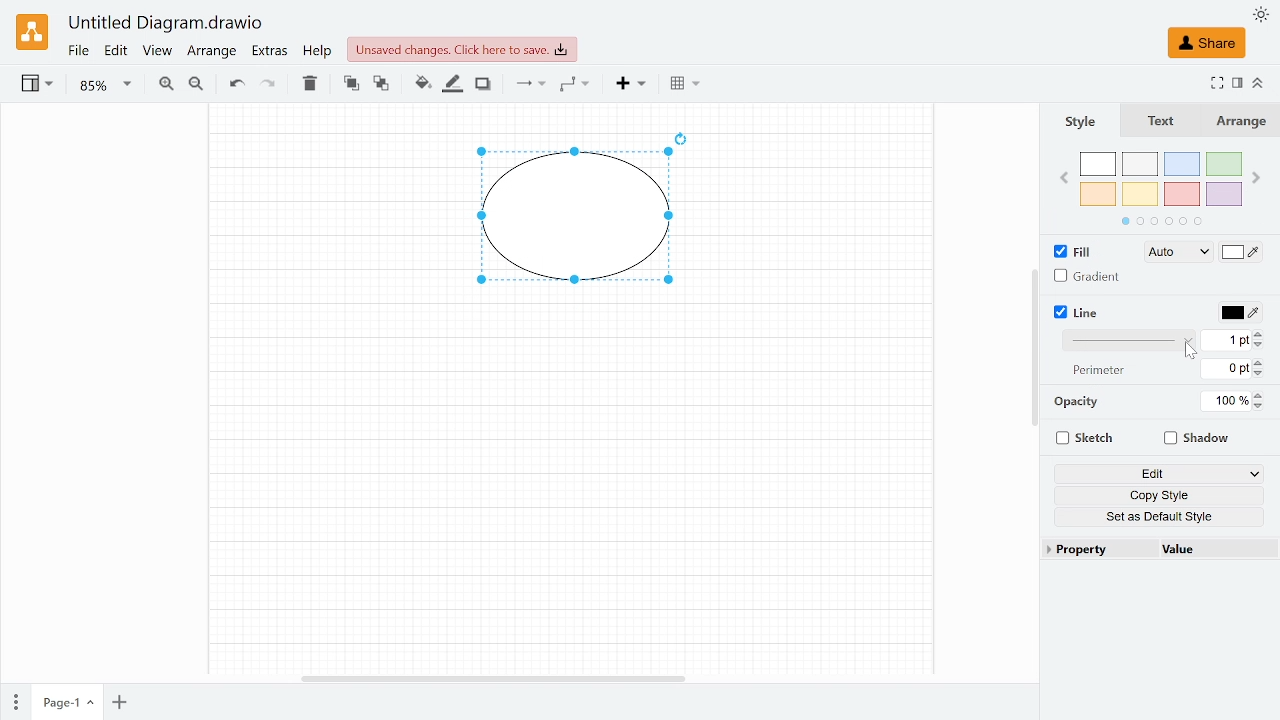 This screenshot has width=1280, height=720. What do you see at coordinates (16, 701) in the screenshot?
I see `Pages` at bounding box center [16, 701].